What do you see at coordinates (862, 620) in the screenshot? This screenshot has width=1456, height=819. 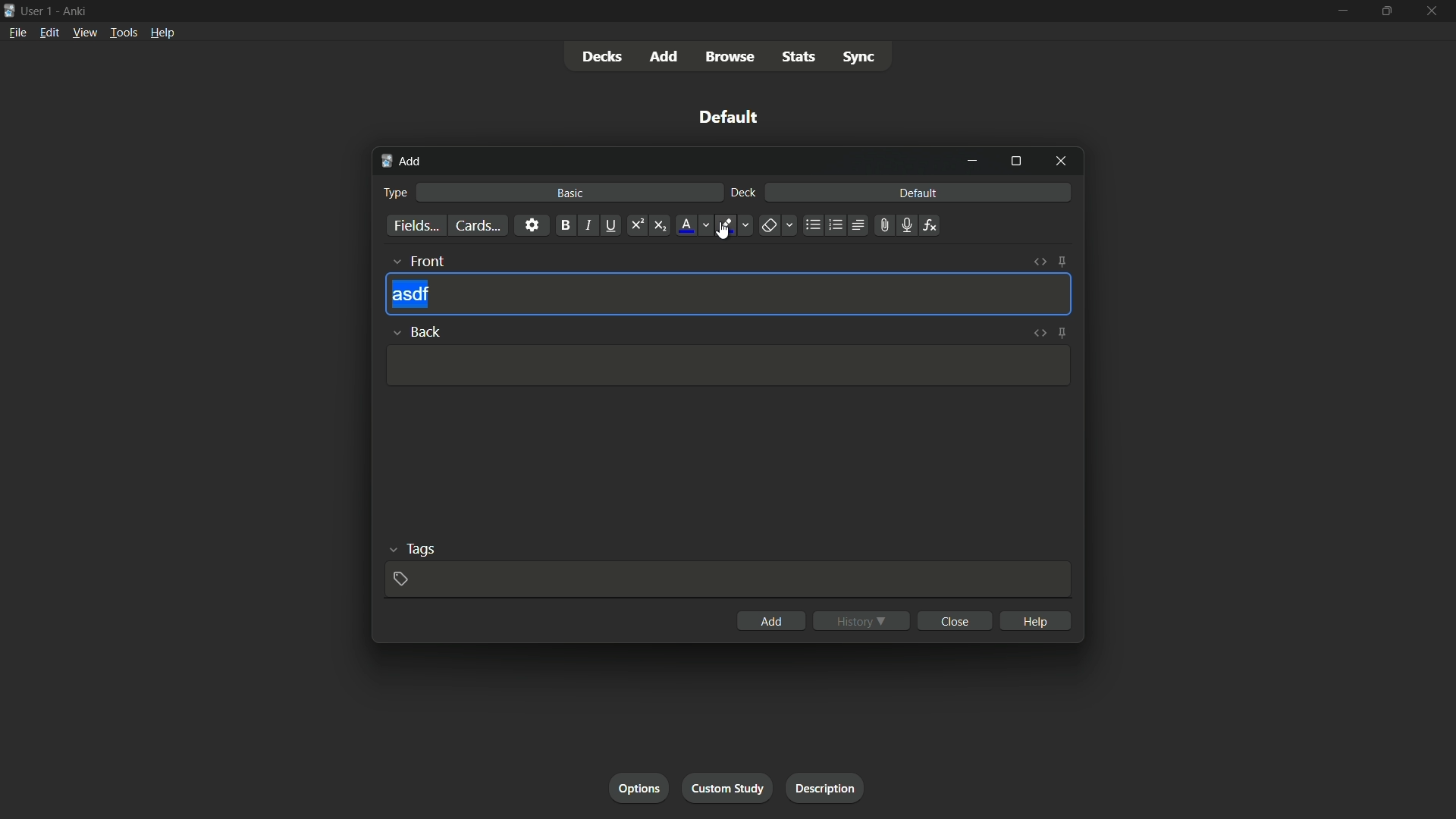 I see `history` at bounding box center [862, 620].